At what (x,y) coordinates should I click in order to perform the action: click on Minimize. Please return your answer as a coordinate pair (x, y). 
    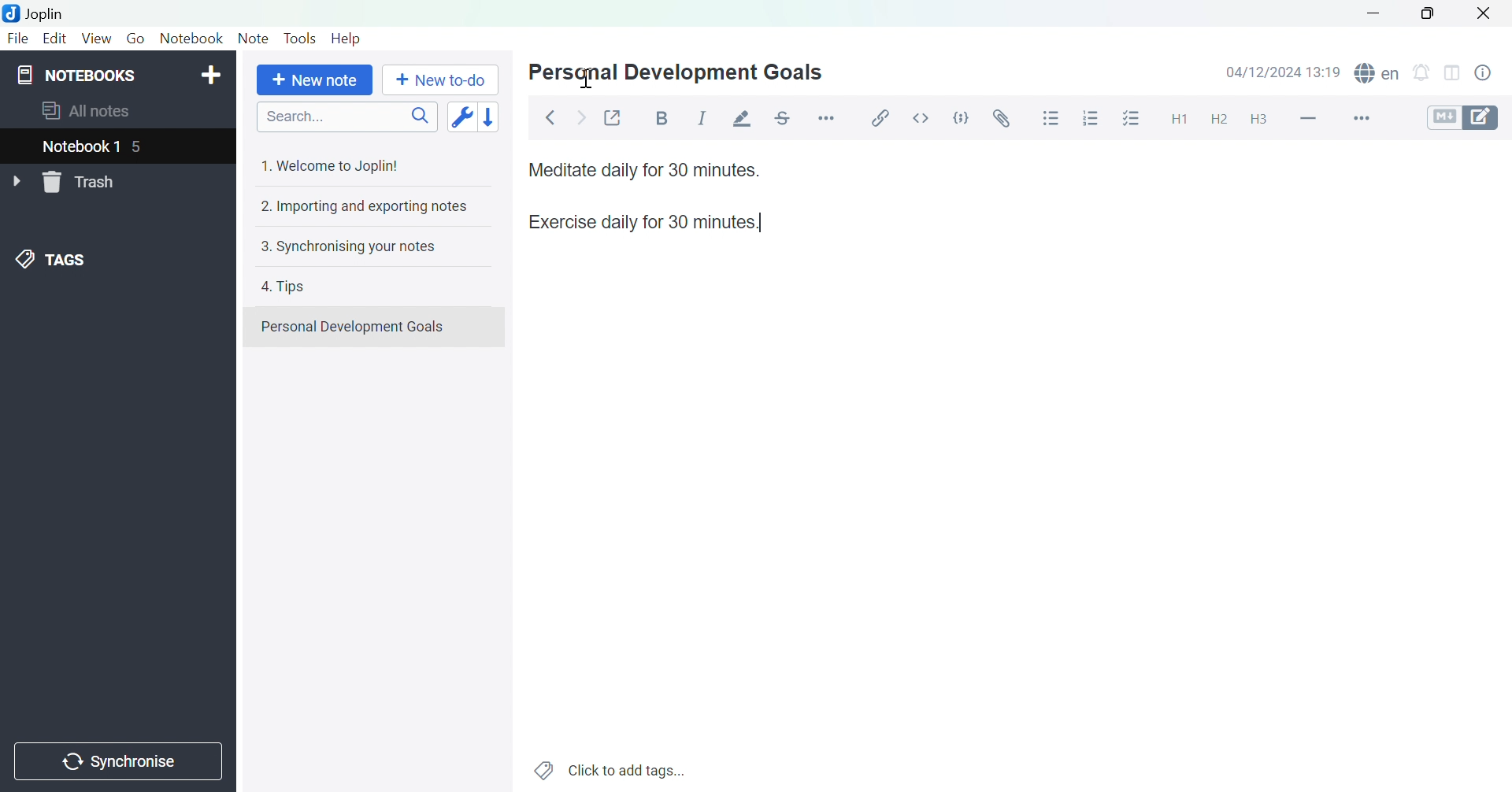
    Looking at the image, I should click on (1371, 13).